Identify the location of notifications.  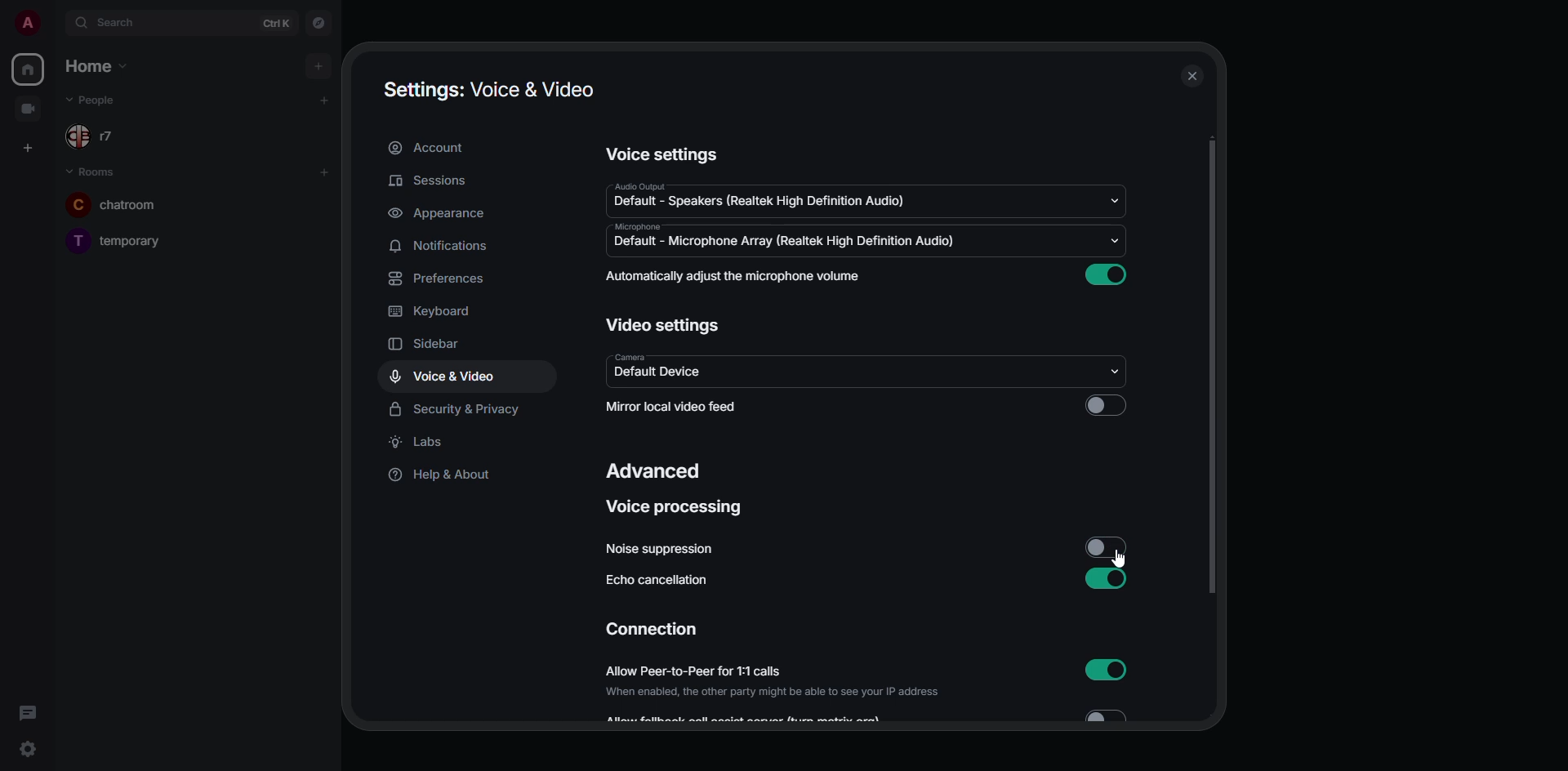
(447, 244).